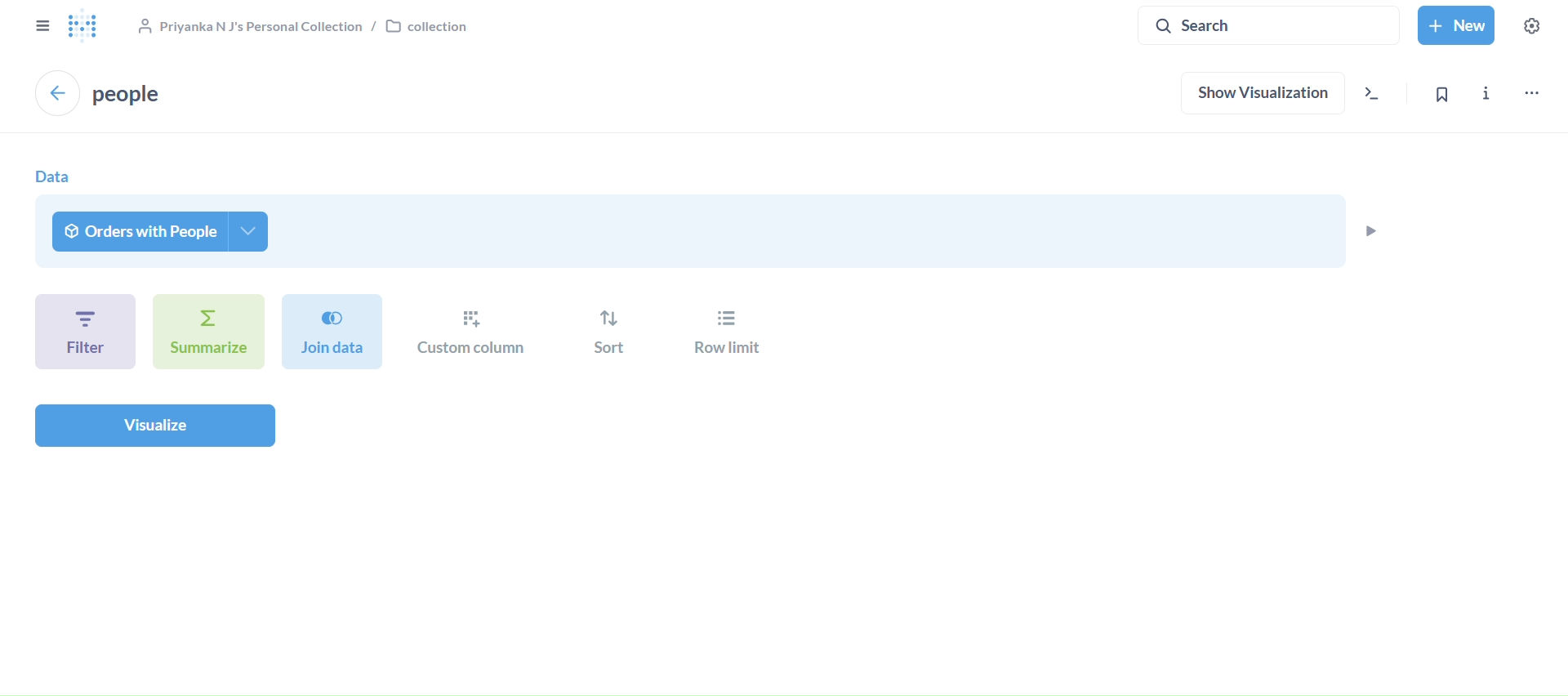 This screenshot has height=696, width=1568. What do you see at coordinates (1450, 94) in the screenshot?
I see `bookmark ` at bounding box center [1450, 94].